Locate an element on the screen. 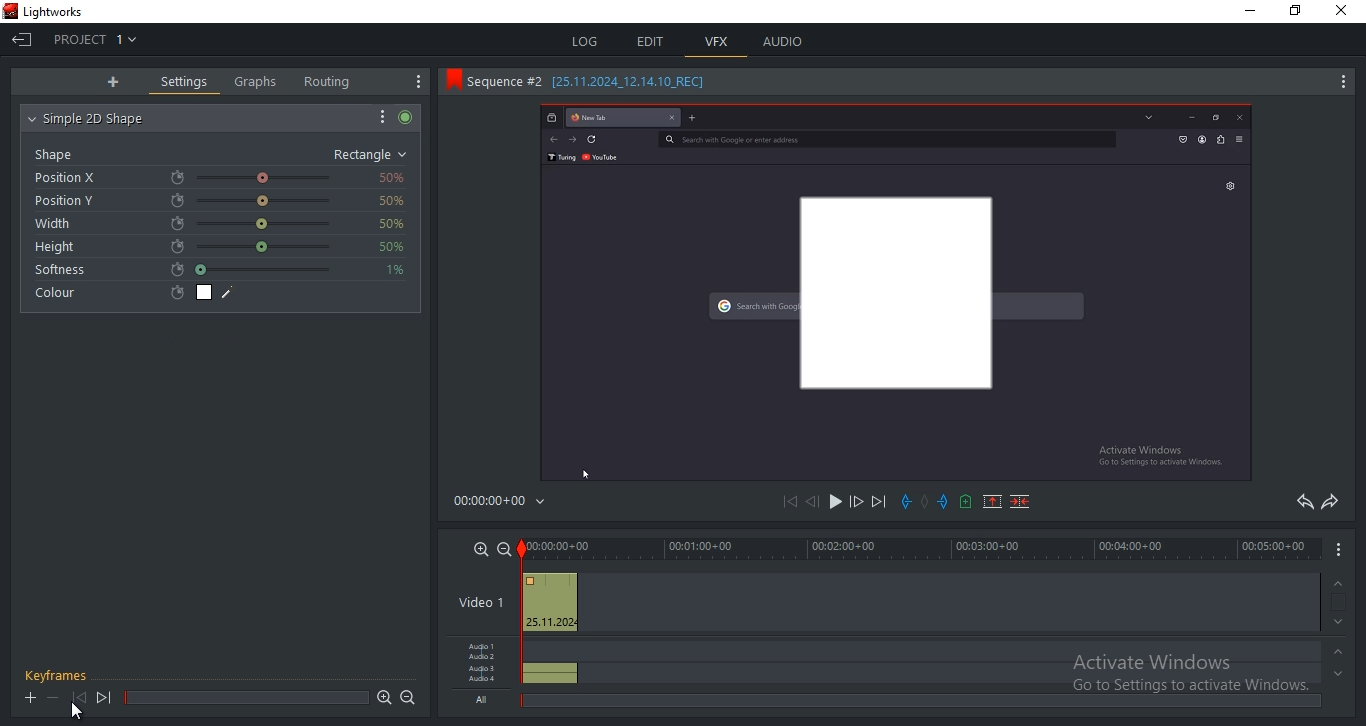 Image resolution: width=1366 pixels, height=726 pixels. video 1 is located at coordinates (477, 604).